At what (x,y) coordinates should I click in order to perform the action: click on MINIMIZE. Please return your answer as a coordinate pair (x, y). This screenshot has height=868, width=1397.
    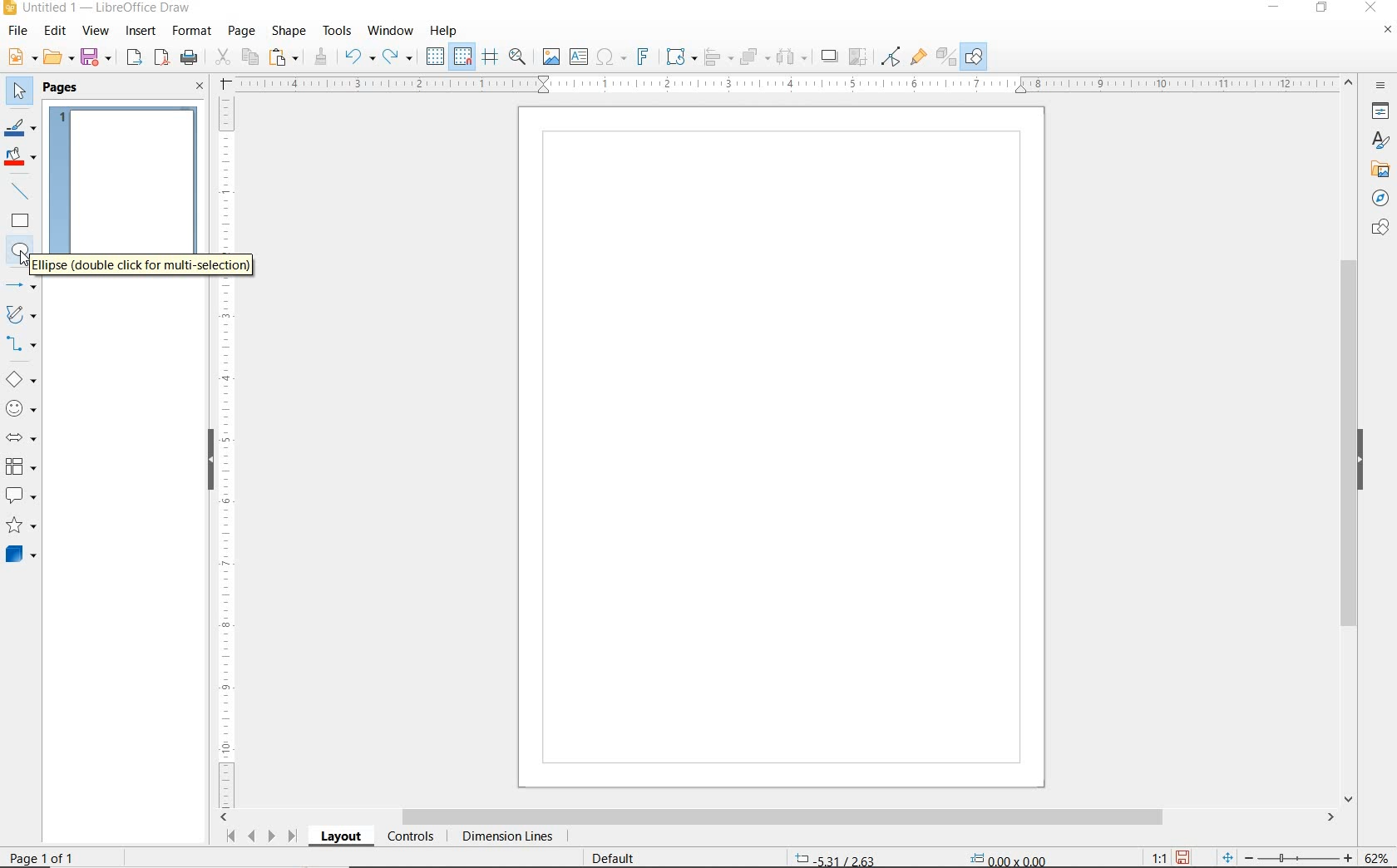
    Looking at the image, I should click on (1276, 8).